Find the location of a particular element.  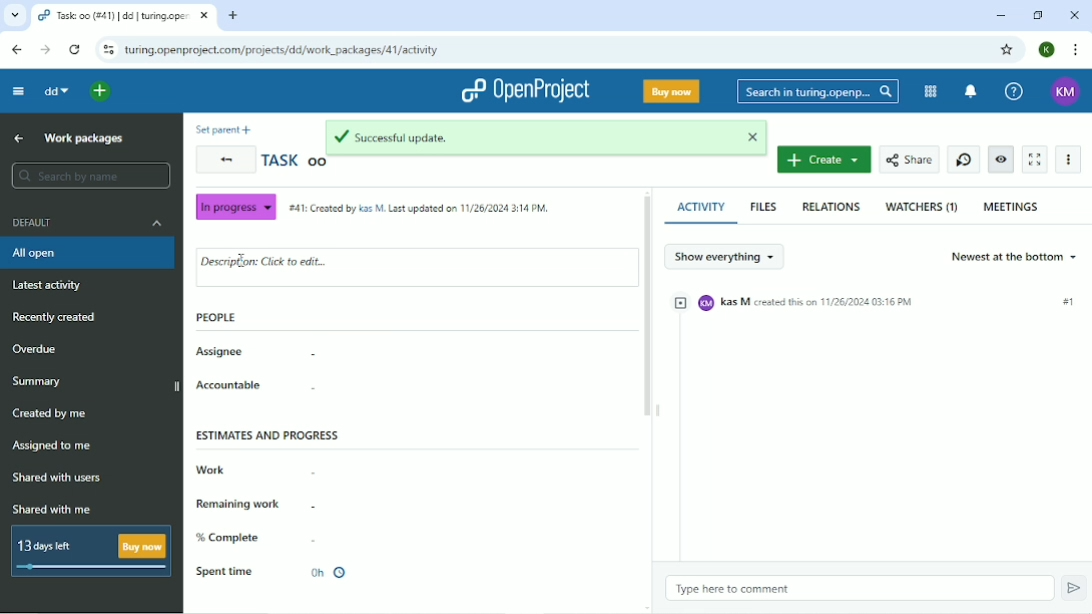

kM Kas M created this on 11/26/2024 03:14 PM is located at coordinates (878, 302).